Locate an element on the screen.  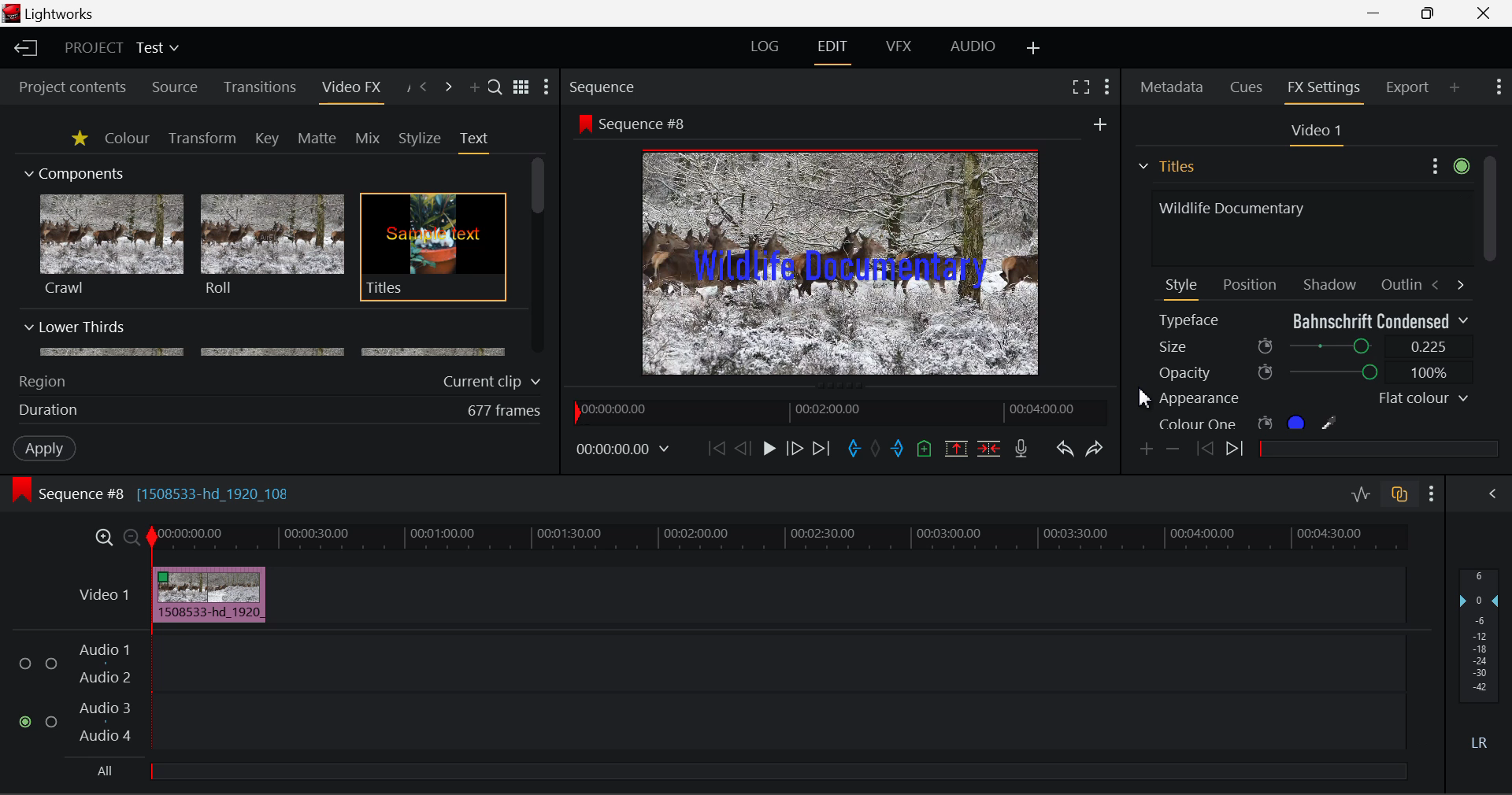
Remove Marked Section is located at coordinates (956, 449).